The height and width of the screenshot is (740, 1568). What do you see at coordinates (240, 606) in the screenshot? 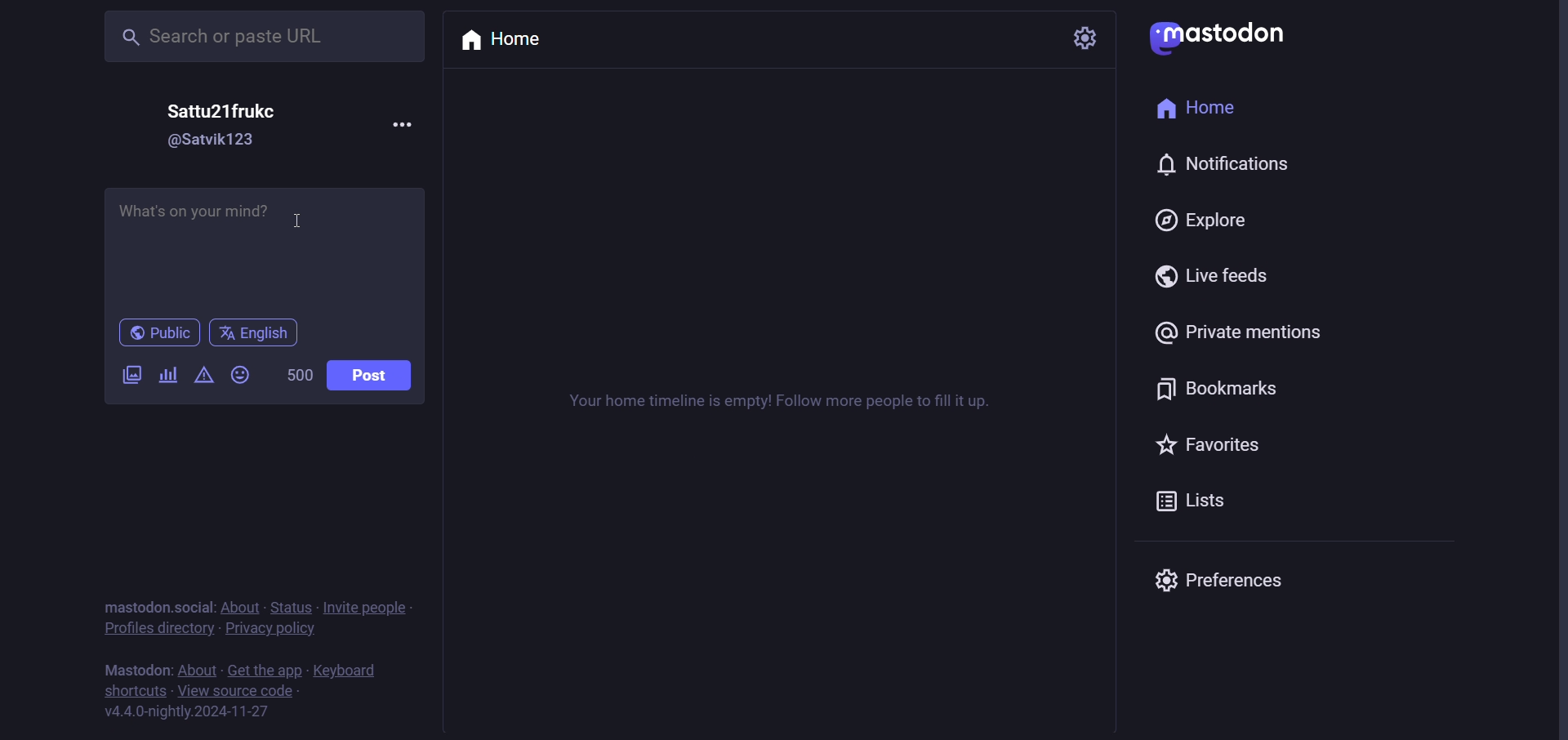
I see `about` at bounding box center [240, 606].